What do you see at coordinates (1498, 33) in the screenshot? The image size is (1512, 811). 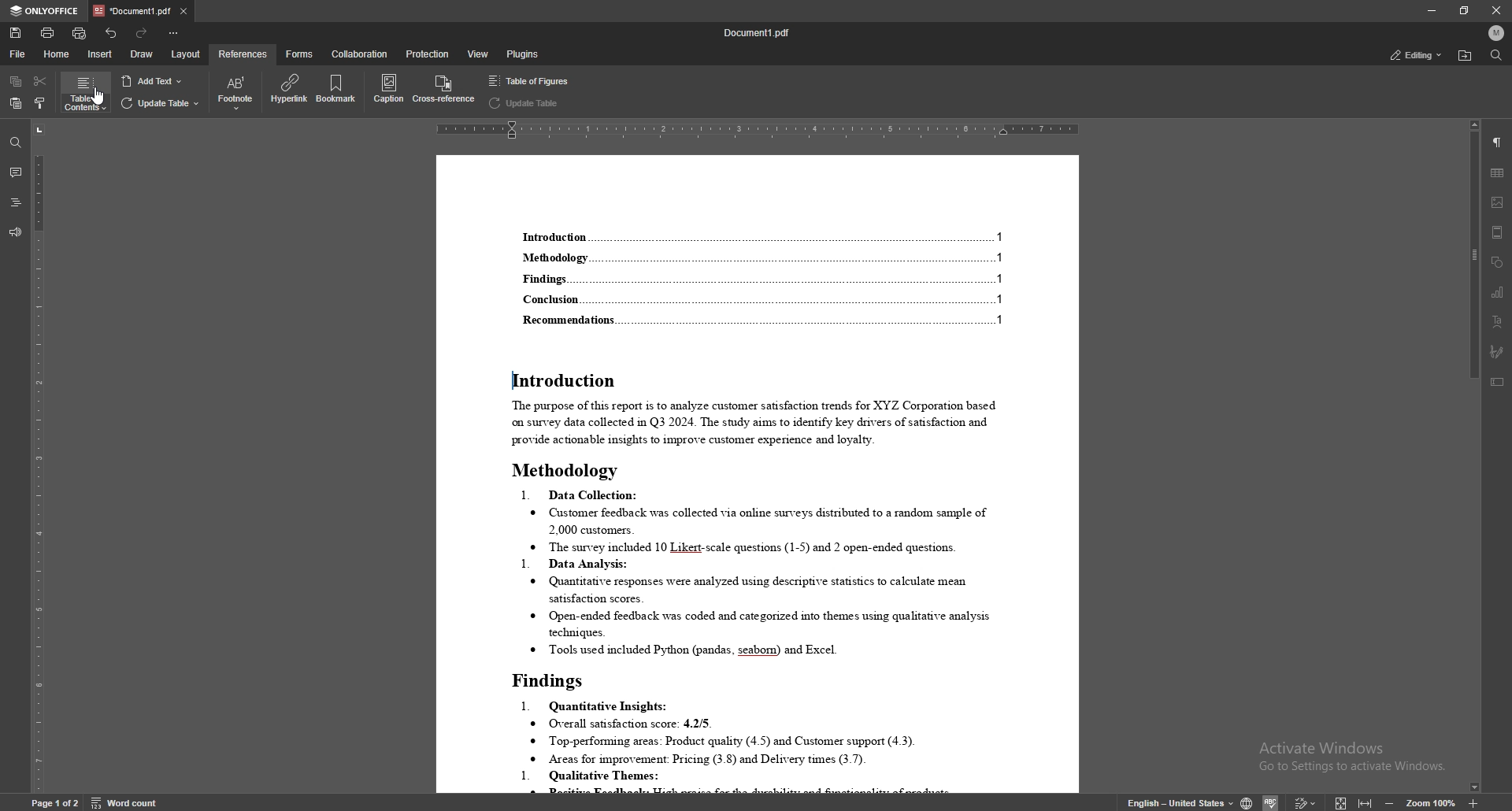 I see `profile` at bounding box center [1498, 33].